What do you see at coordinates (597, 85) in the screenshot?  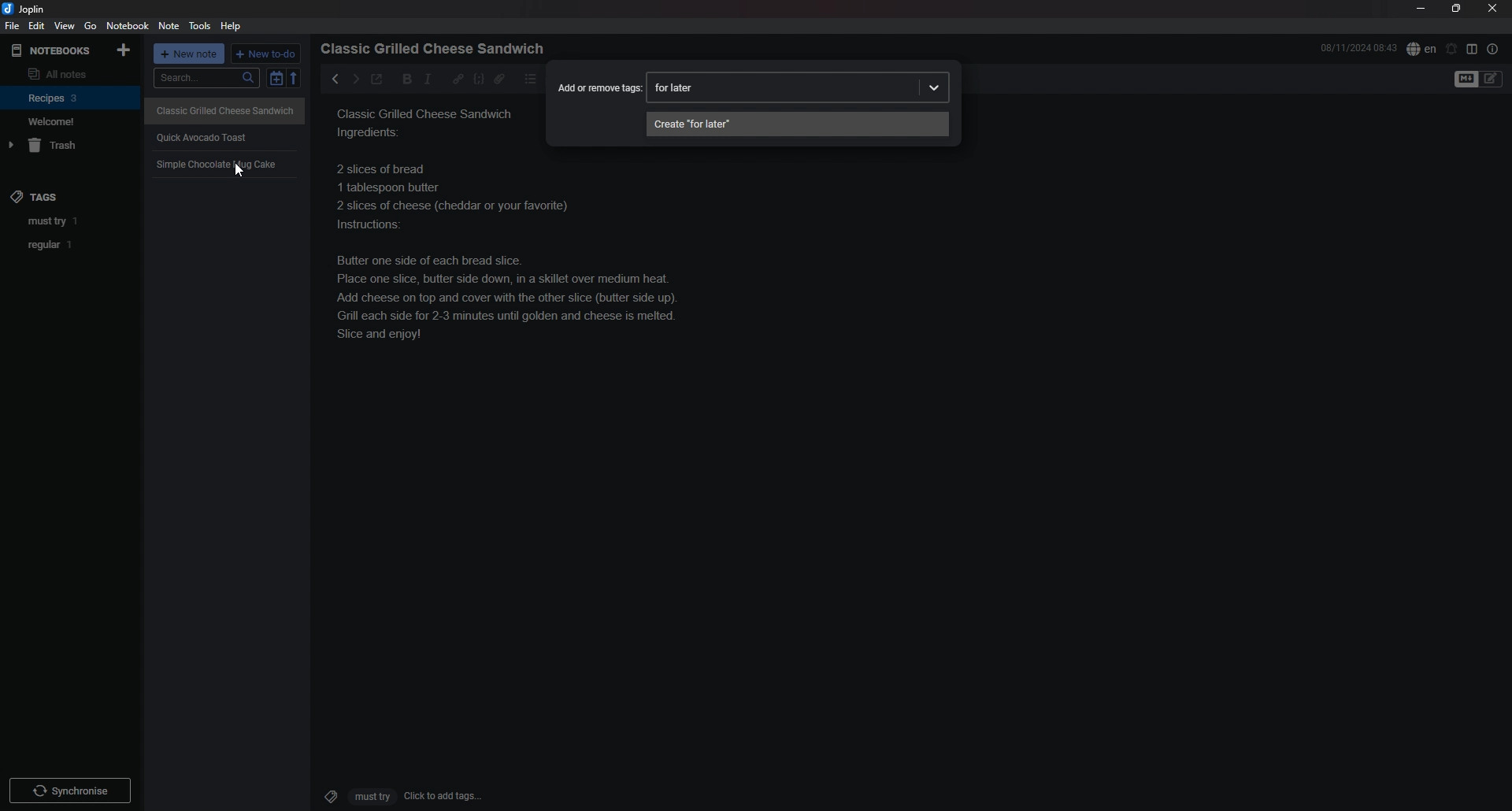 I see `Add or remove tags` at bounding box center [597, 85].